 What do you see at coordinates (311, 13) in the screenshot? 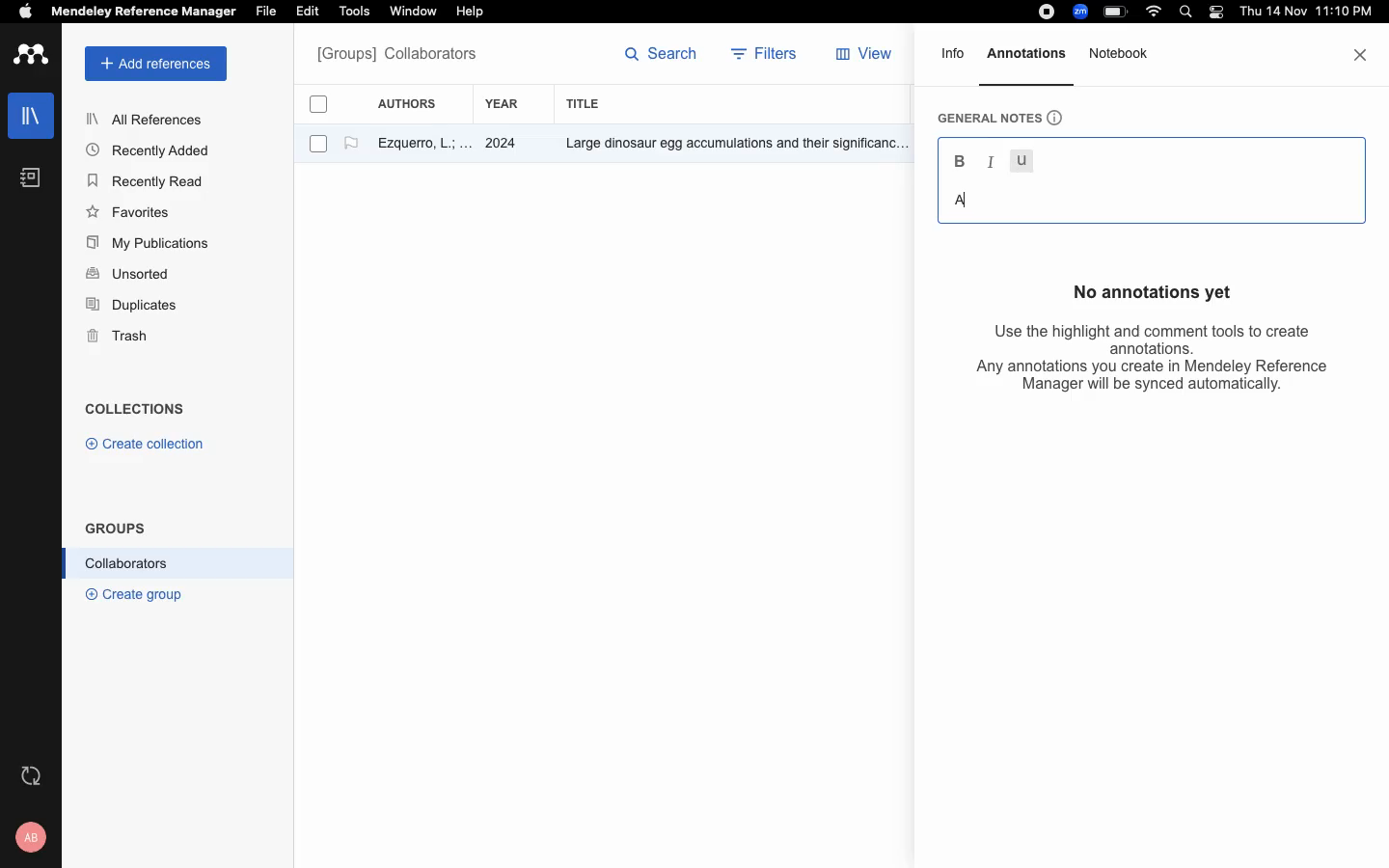
I see `Edit` at bounding box center [311, 13].